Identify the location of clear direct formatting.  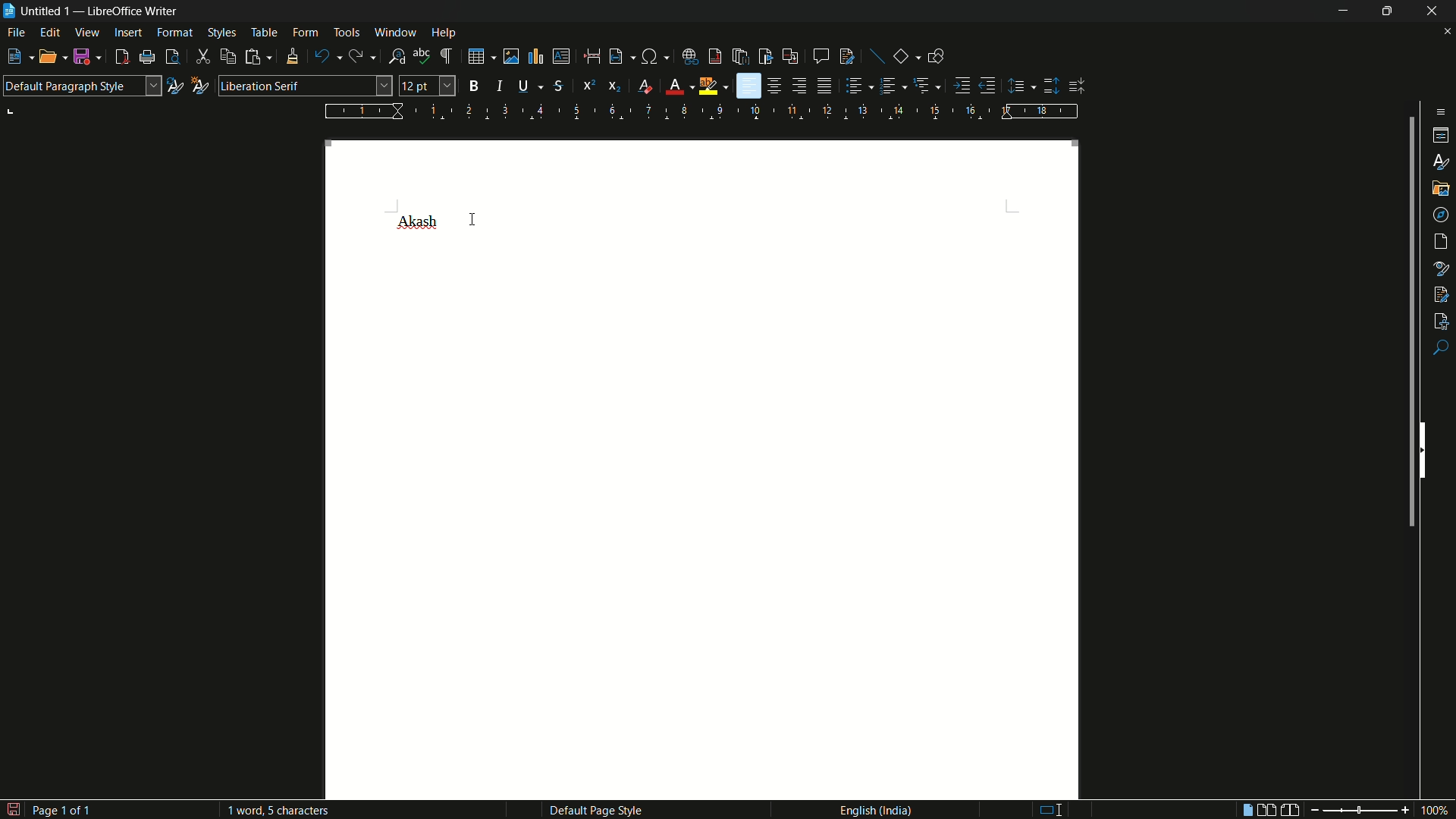
(648, 87).